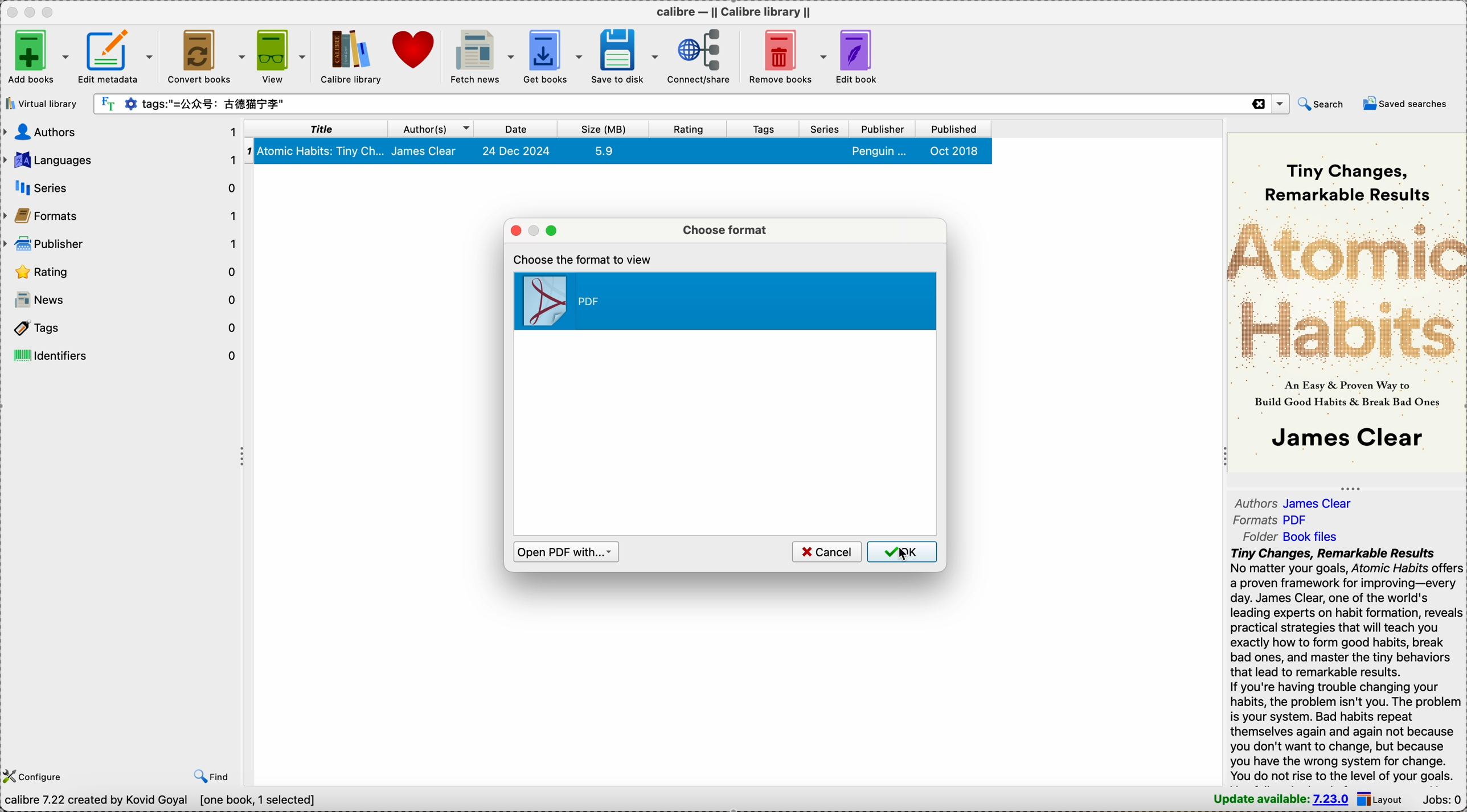 The width and height of the screenshot is (1467, 812). I want to click on layout, so click(1382, 798).